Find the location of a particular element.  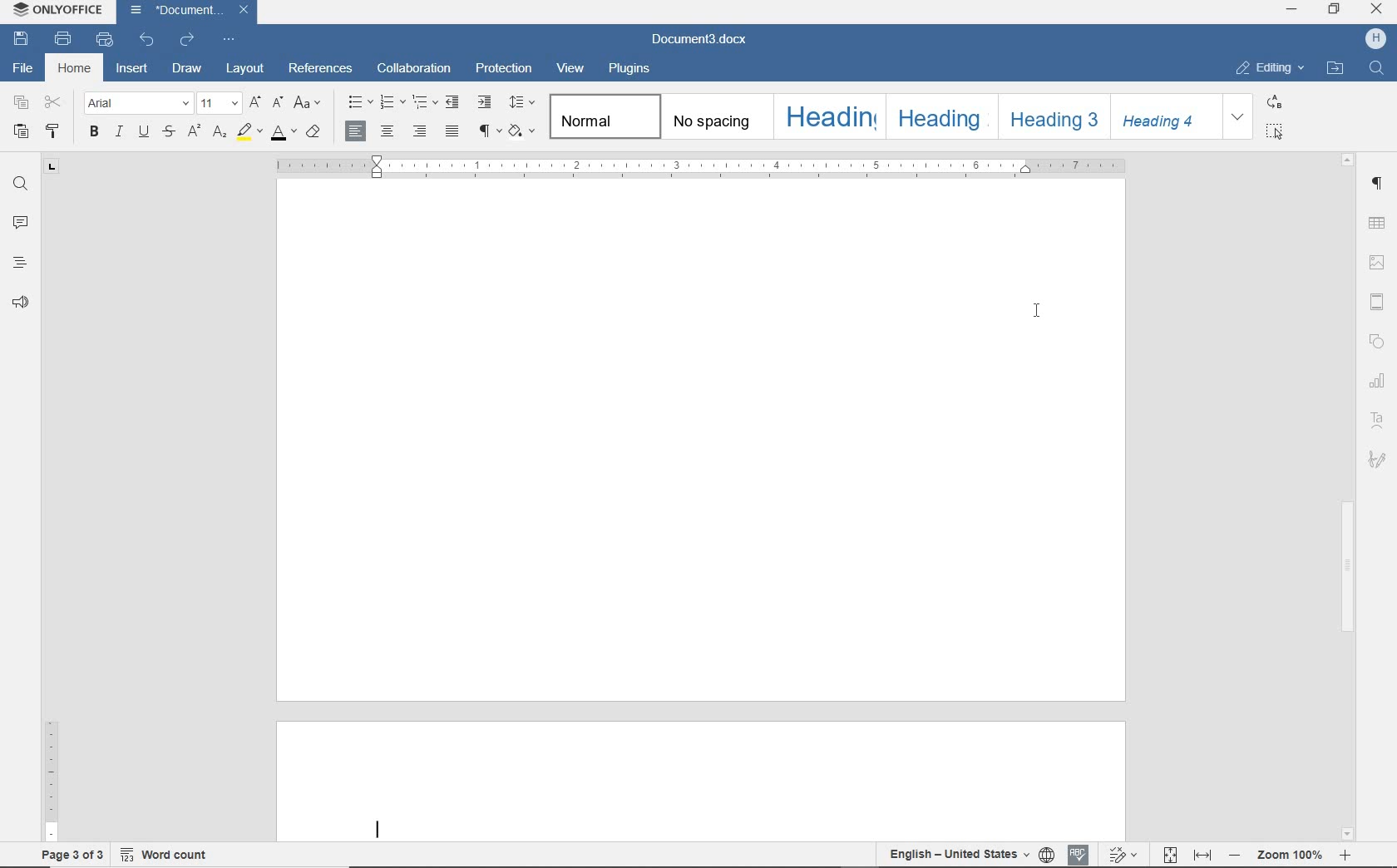

DRAW is located at coordinates (185, 70).